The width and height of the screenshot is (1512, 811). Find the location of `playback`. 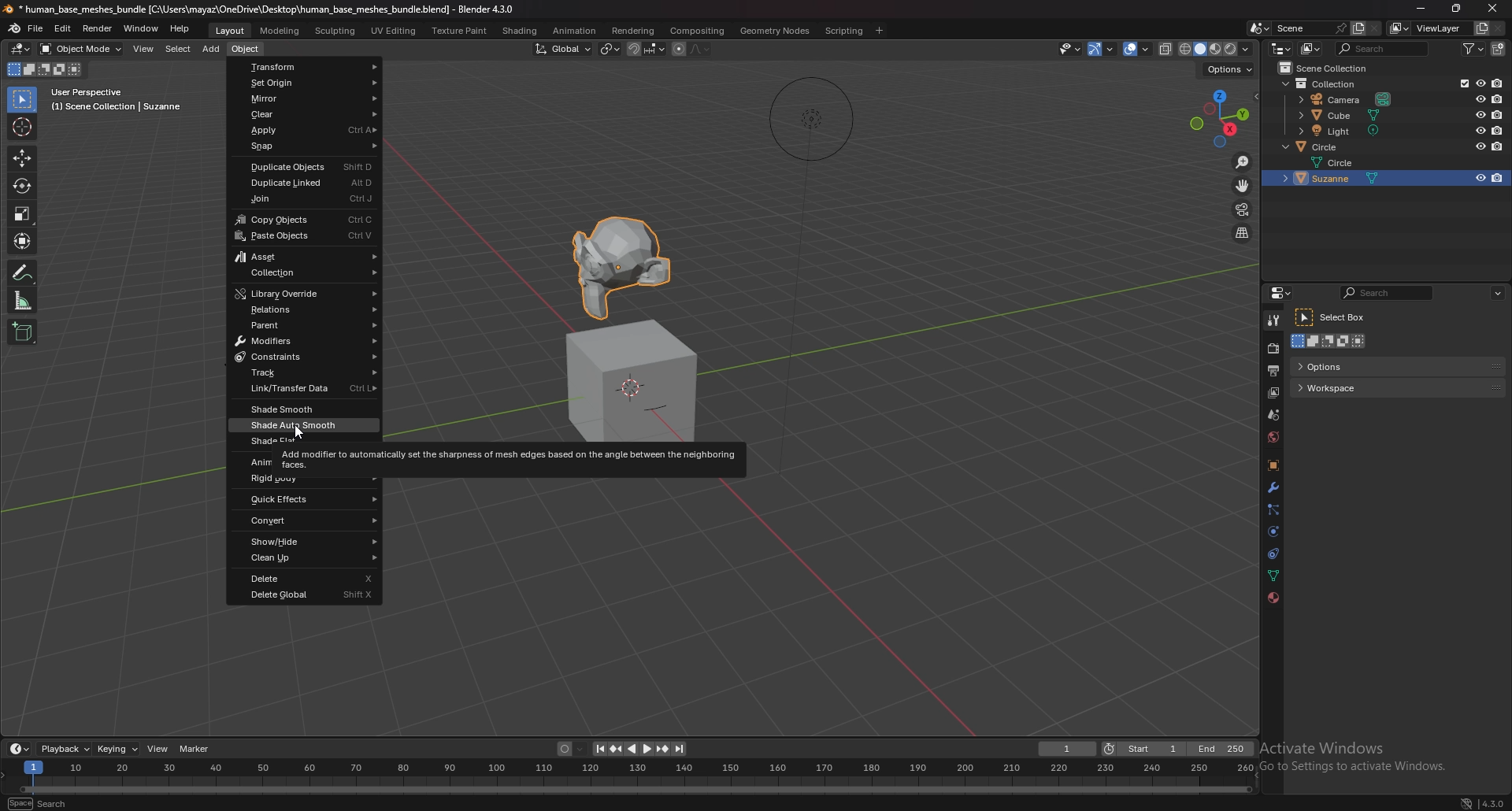

playback is located at coordinates (64, 750).